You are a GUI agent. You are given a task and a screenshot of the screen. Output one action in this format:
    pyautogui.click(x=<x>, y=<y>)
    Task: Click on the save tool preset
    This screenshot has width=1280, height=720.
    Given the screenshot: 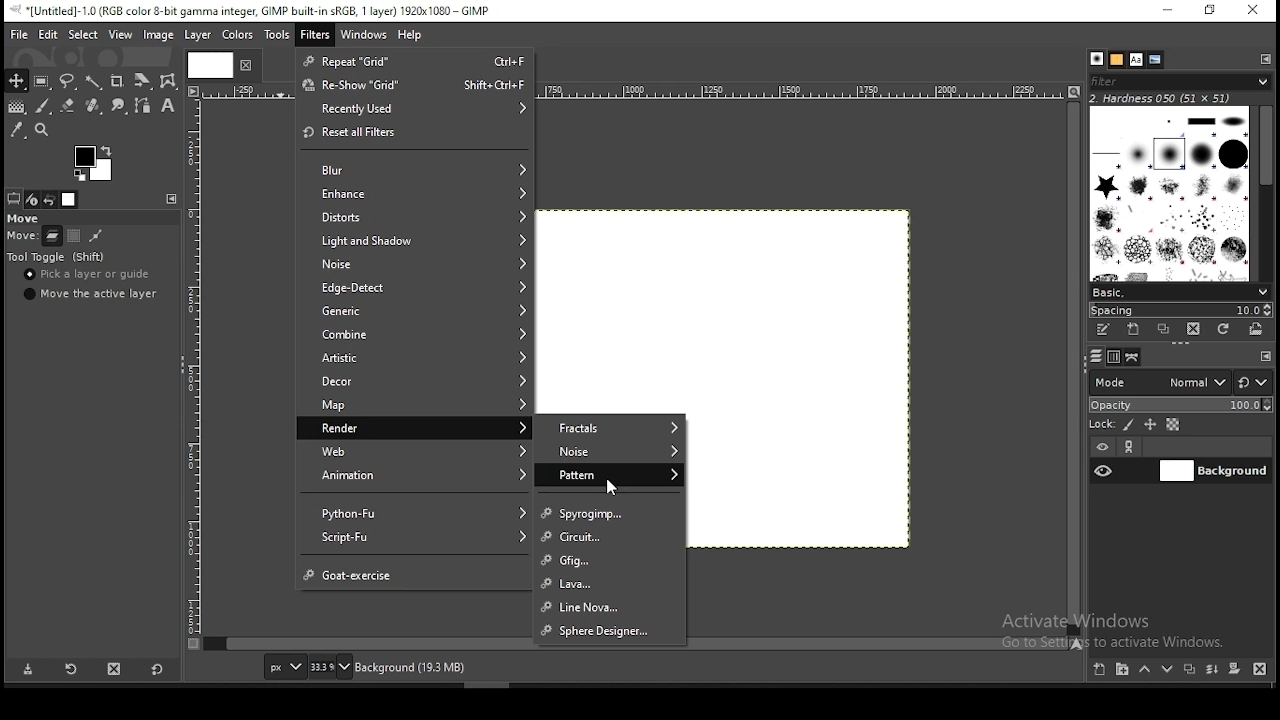 What is the action you would take?
    pyautogui.click(x=27, y=670)
    